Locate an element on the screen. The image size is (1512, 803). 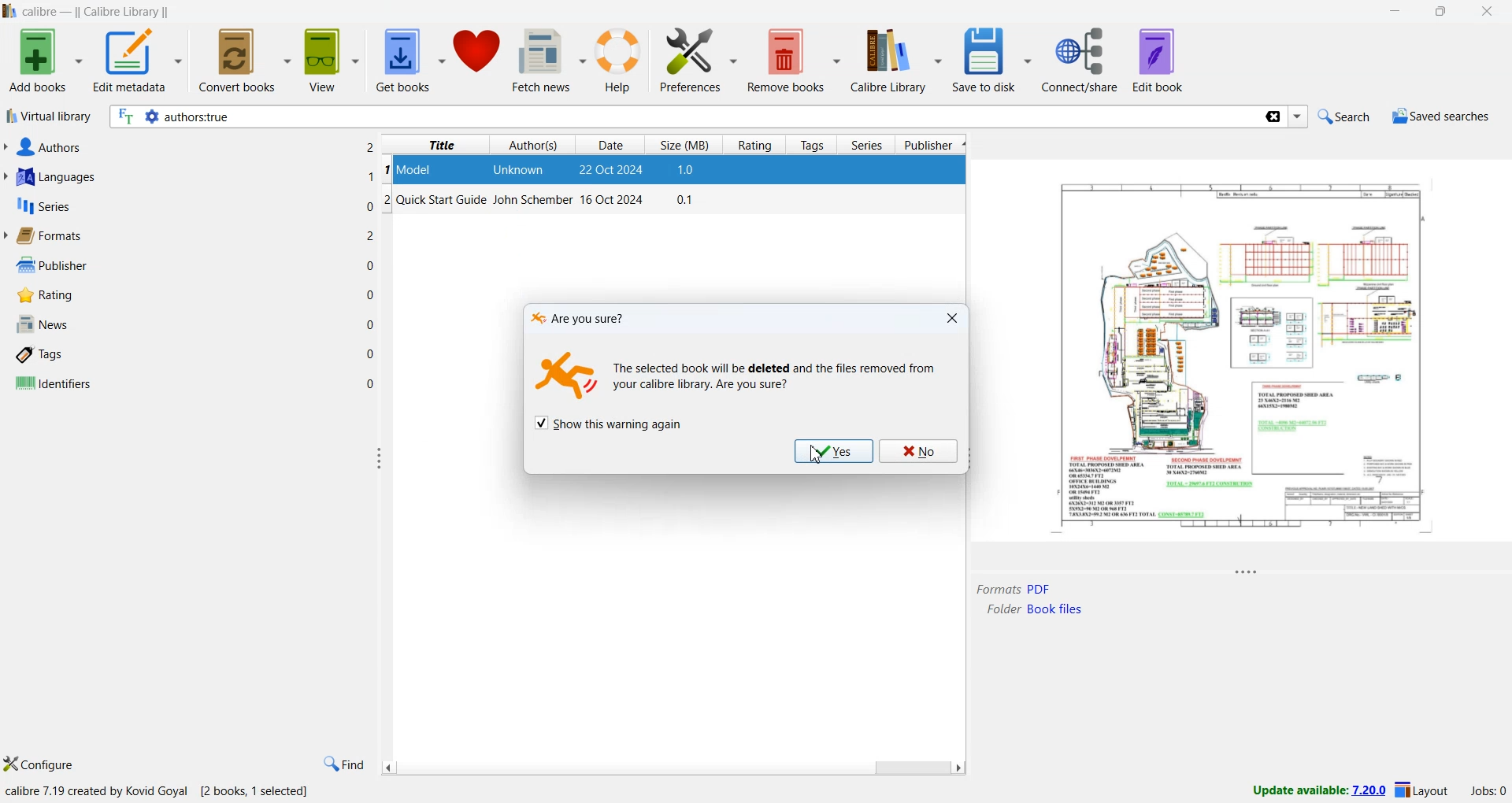
date is located at coordinates (610, 145).